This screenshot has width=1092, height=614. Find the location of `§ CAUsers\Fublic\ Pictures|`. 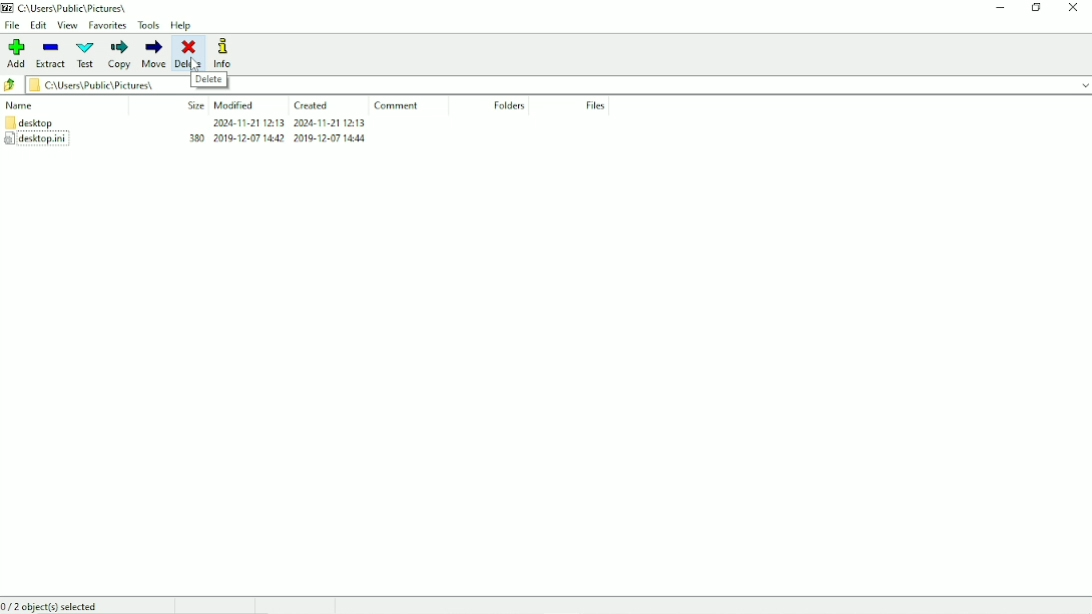

§ CAUsers\Fublic\ Pictures| is located at coordinates (103, 84).